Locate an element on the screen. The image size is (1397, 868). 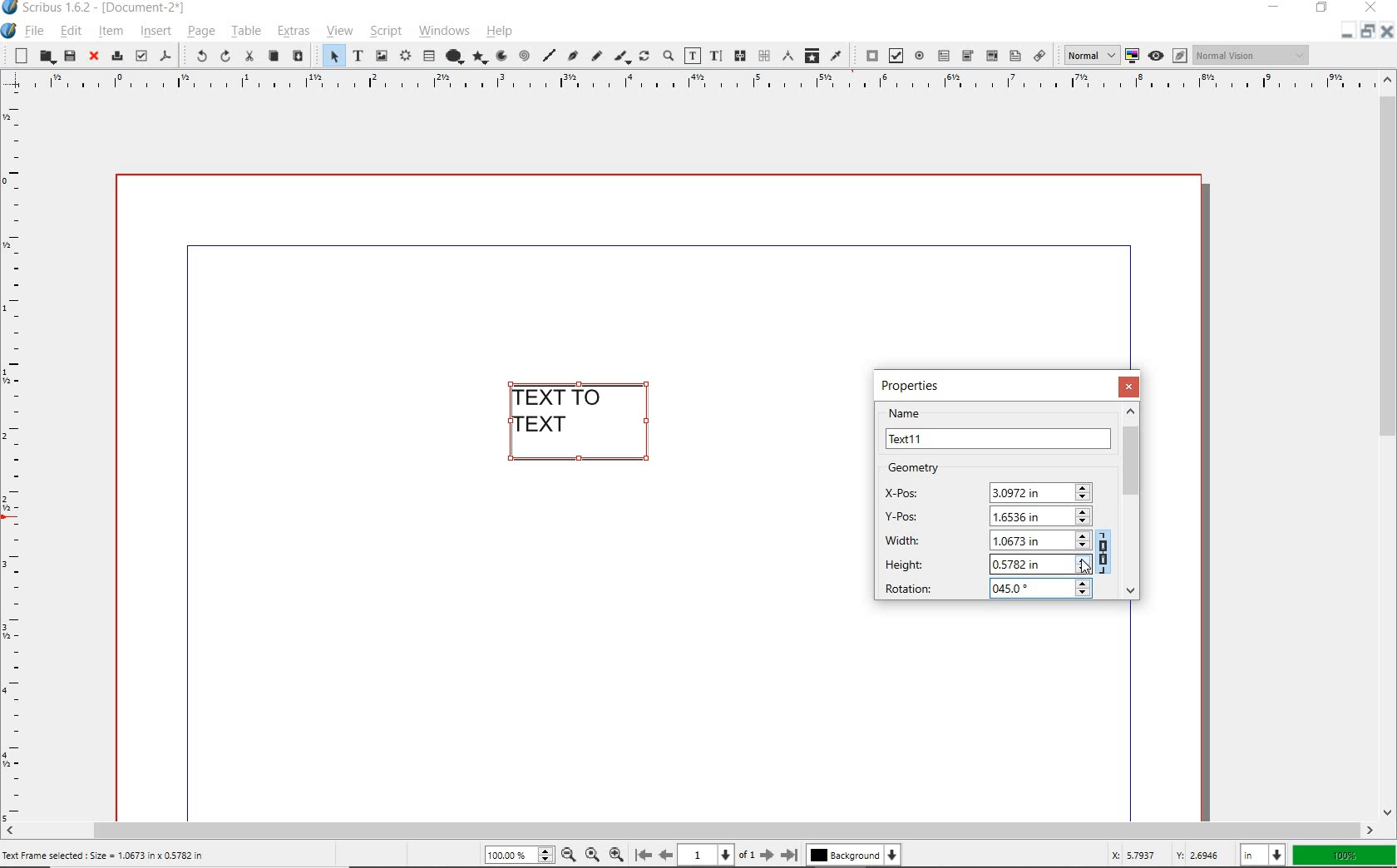
image frame is located at coordinates (383, 57).